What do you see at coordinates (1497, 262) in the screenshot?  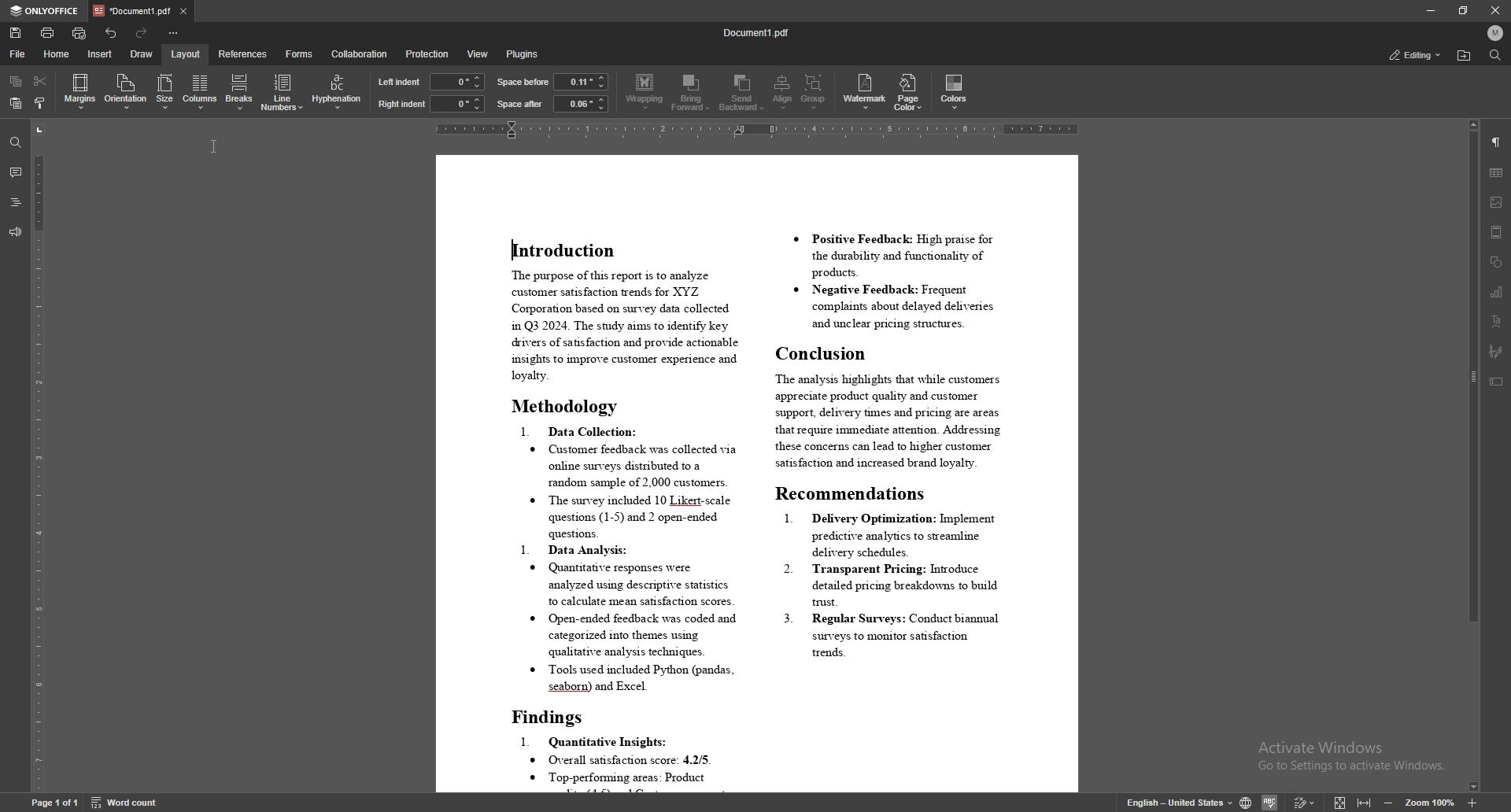 I see `shapes` at bounding box center [1497, 262].